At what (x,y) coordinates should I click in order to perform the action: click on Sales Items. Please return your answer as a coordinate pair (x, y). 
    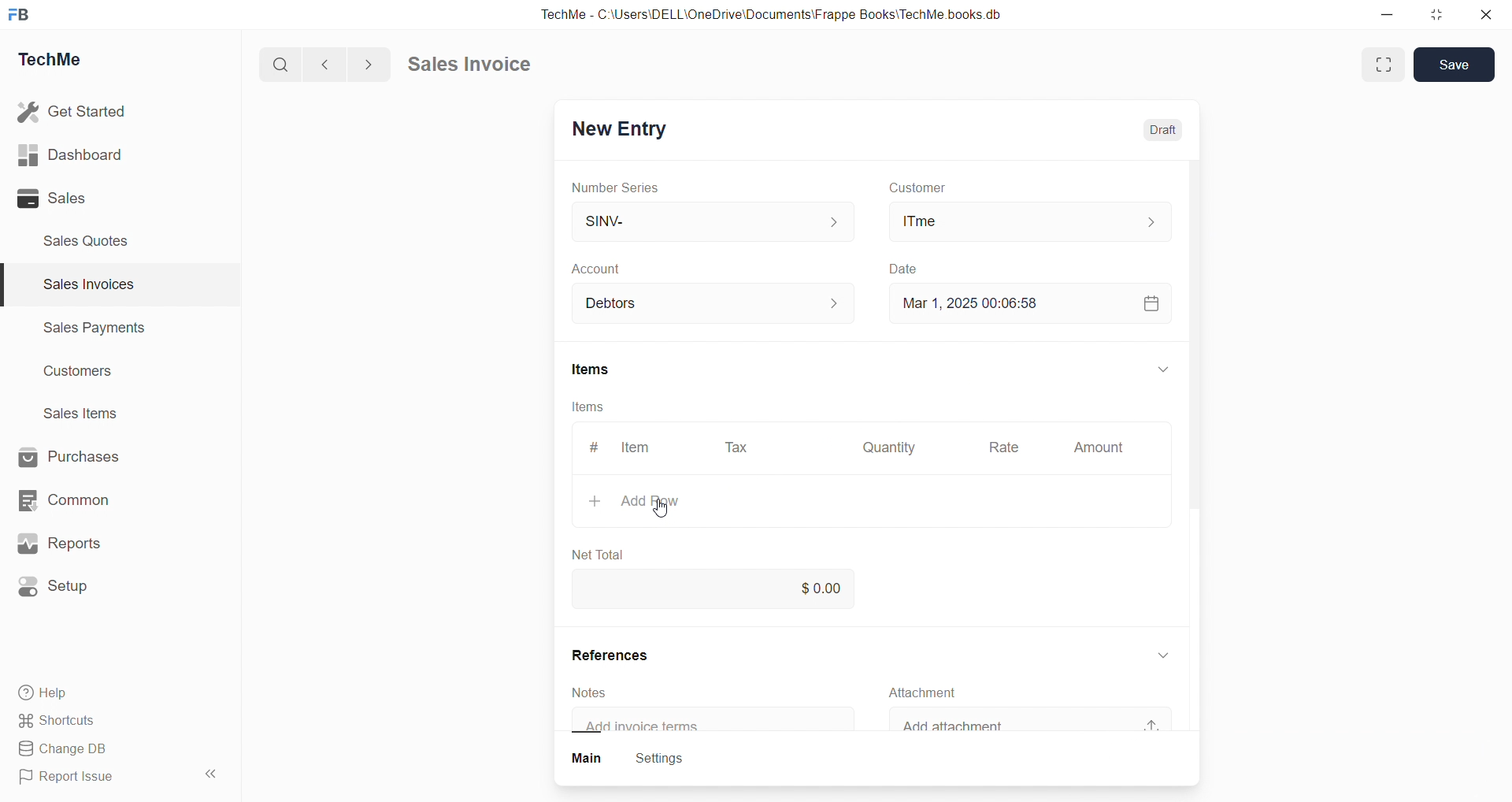
    Looking at the image, I should click on (87, 415).